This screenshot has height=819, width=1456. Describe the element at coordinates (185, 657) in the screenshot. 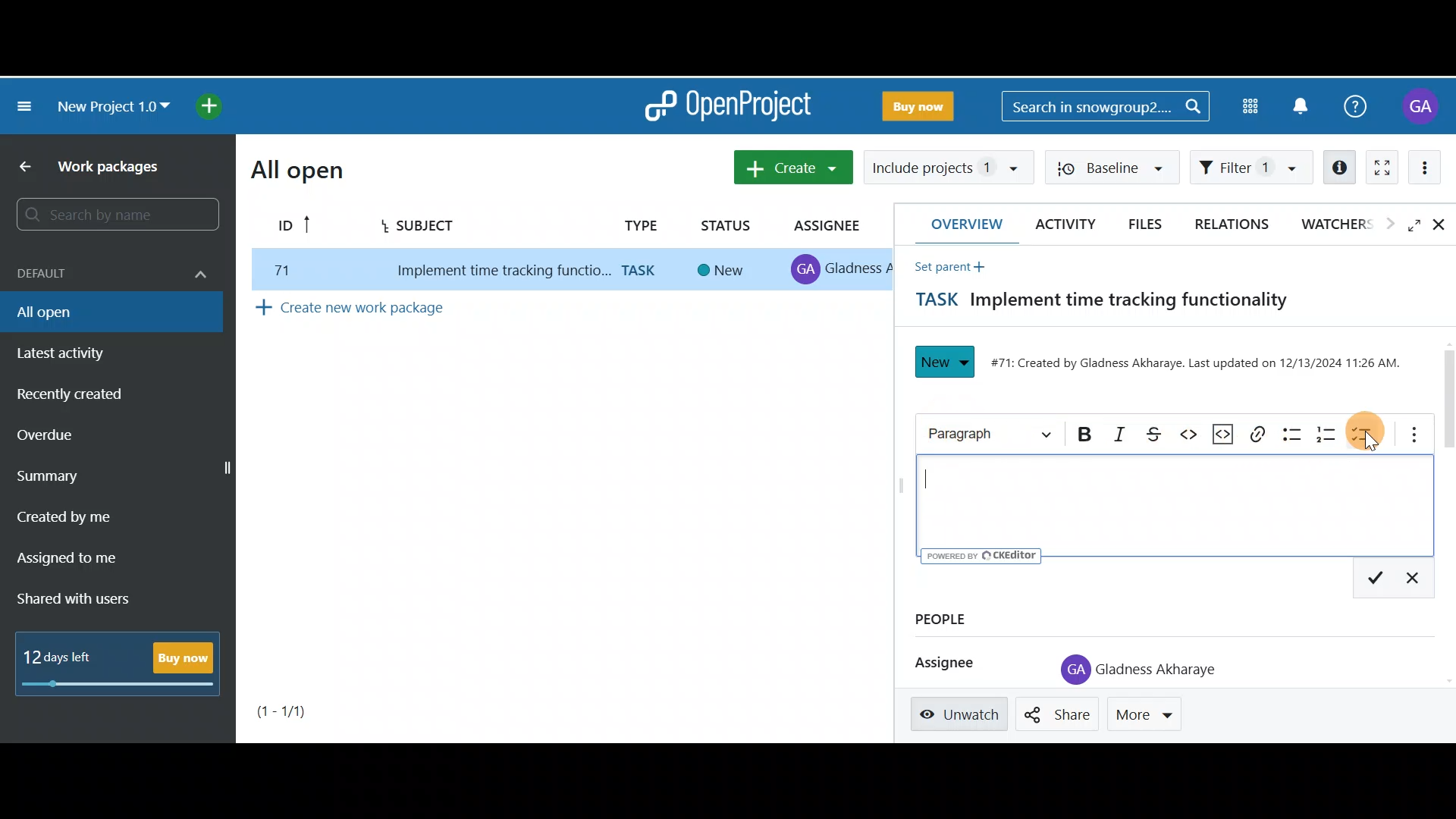

I see `Buy now` at that location.